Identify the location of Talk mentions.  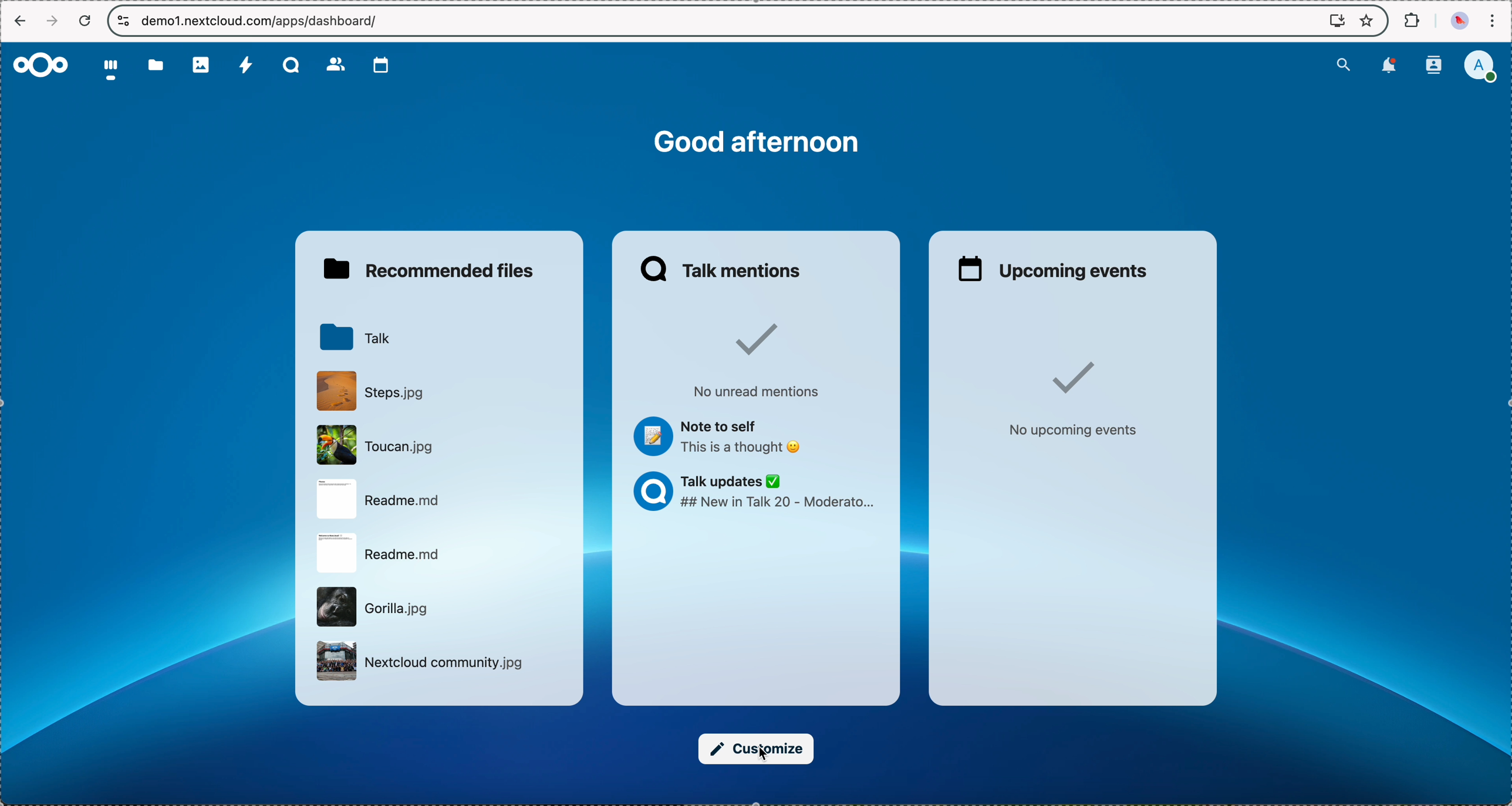
(723, 267).